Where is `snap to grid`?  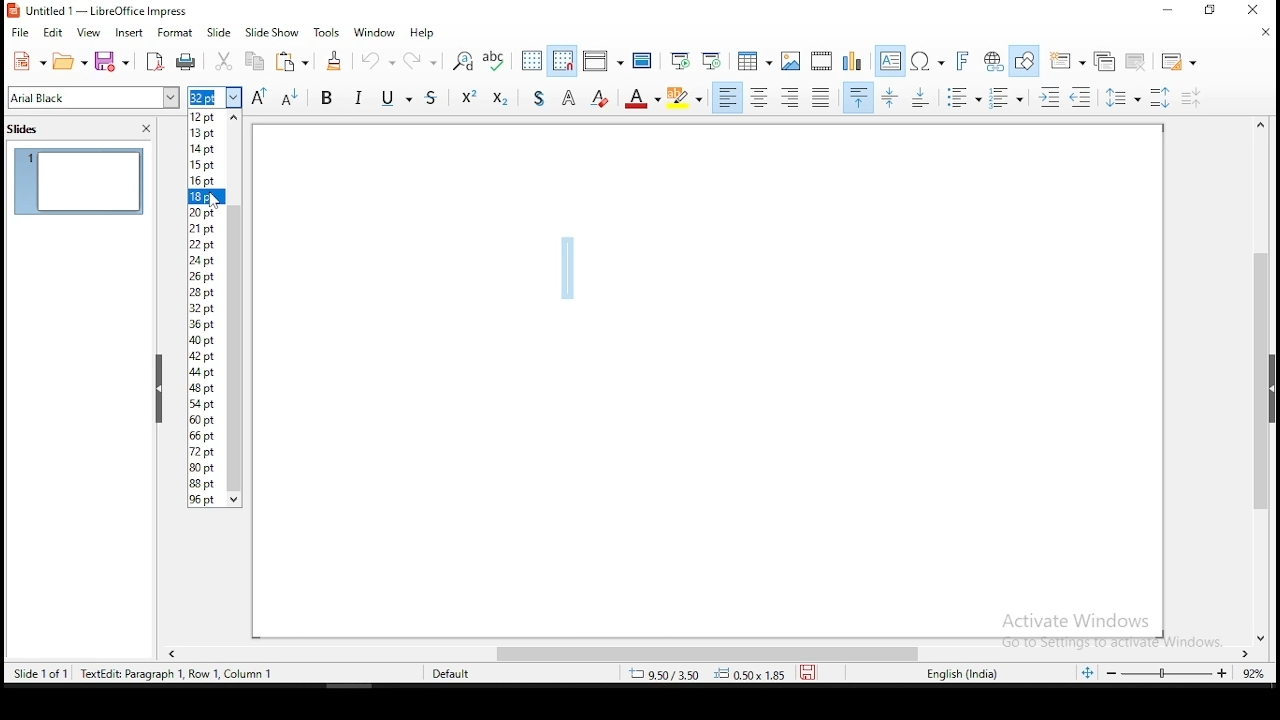
snap to grid is located at coordinates (563, 59).